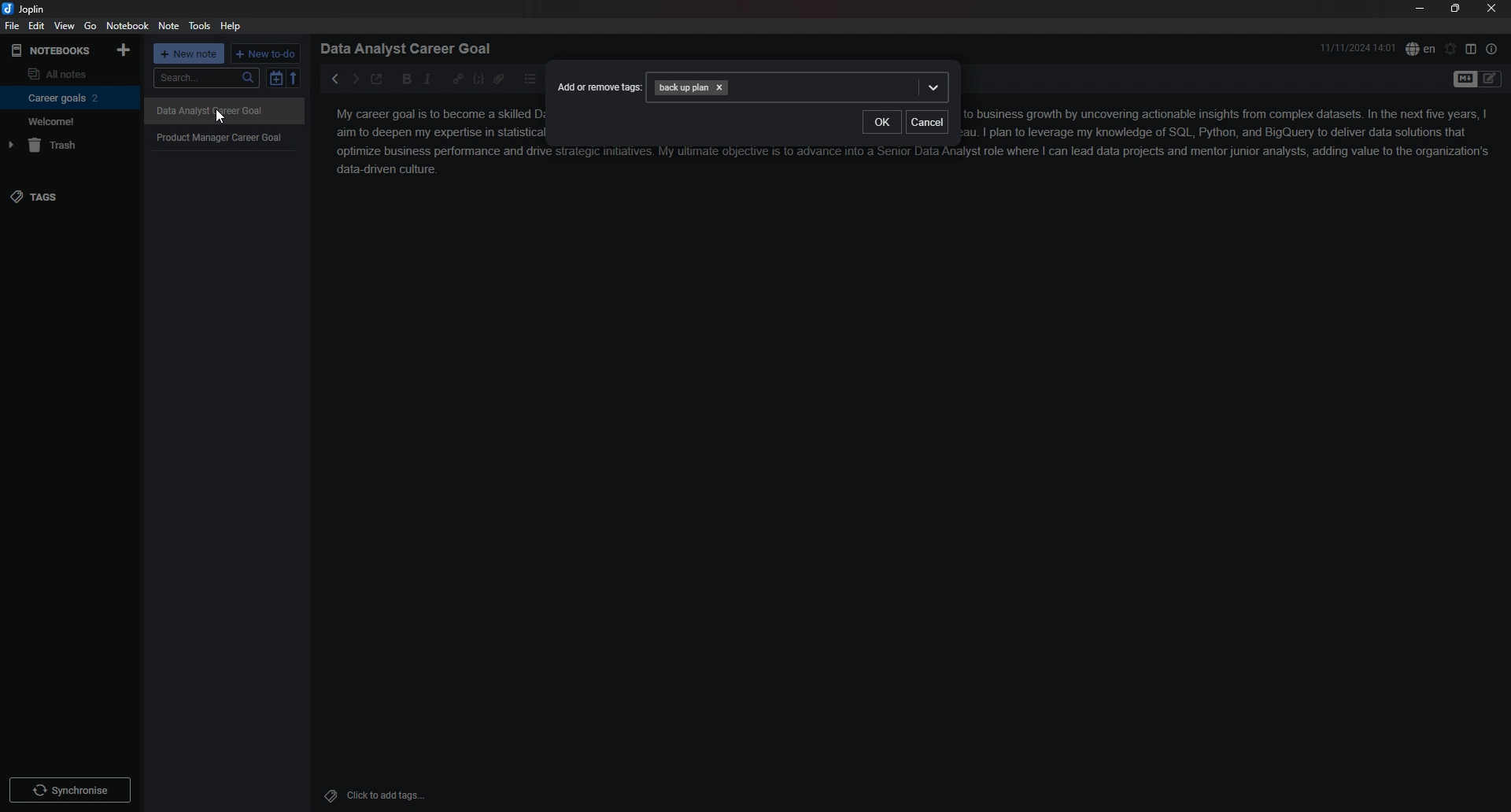  I want to click on bold, so click(408, 79).